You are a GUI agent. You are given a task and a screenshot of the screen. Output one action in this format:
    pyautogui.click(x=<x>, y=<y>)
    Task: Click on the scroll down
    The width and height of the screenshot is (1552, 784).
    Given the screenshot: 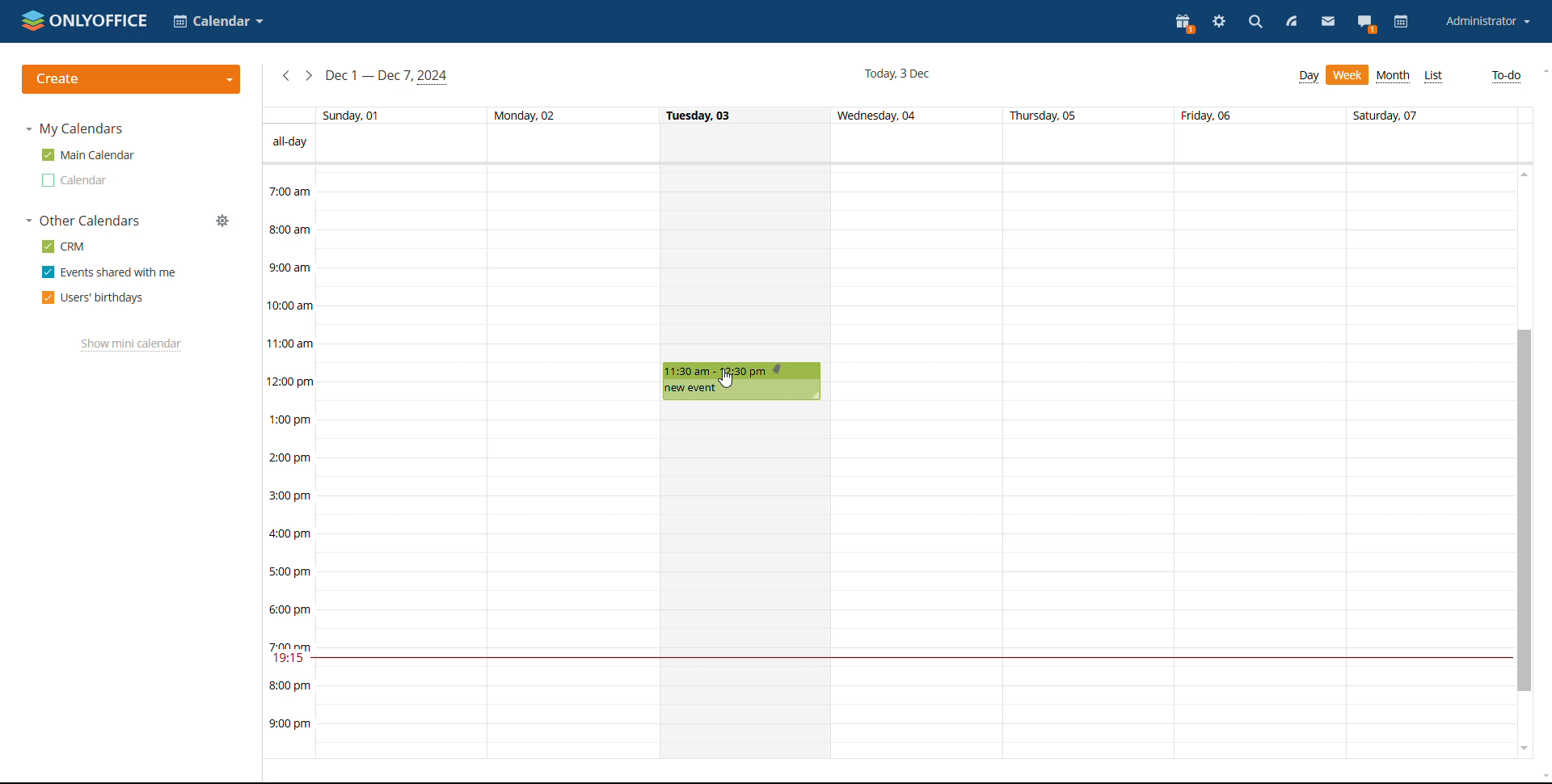 What is the action you would take?
    pyautogui.click(x=1542, y=776)
    